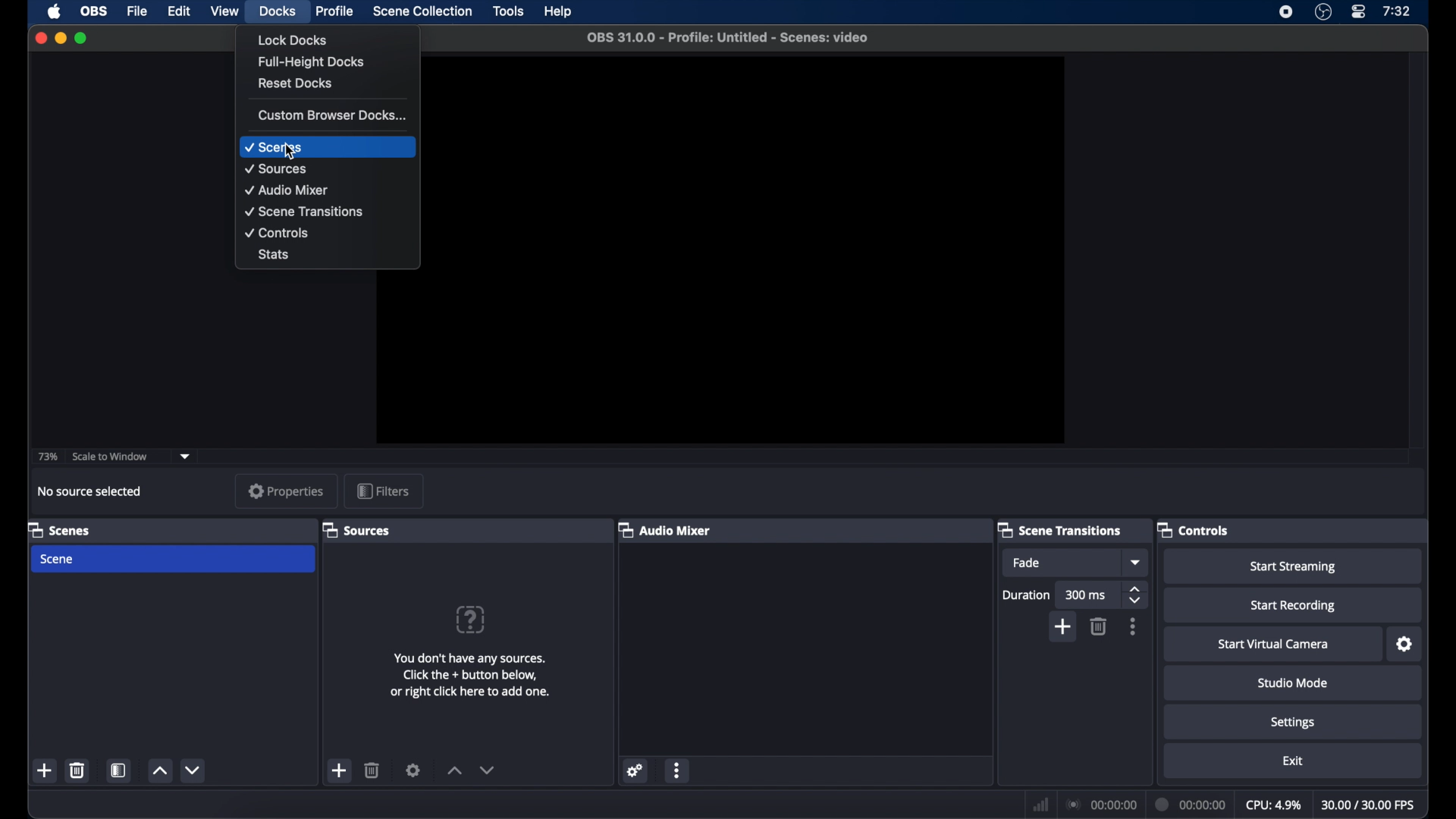  Describe the element at coordinates (58, 560) in the screenshot. I see `scene` at that location.